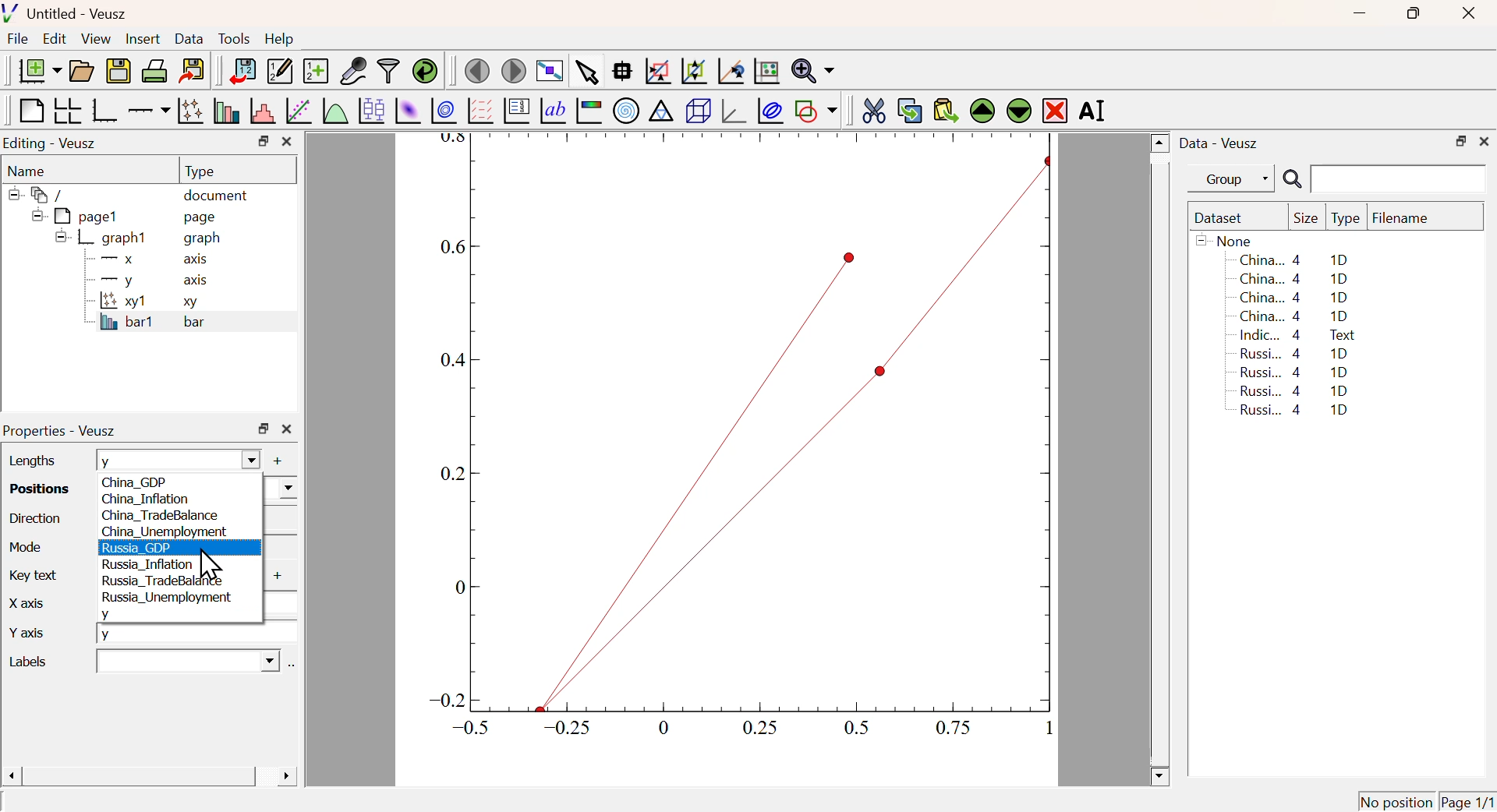  Describe the element at coordinates (280, 39) in the screenshot. I see `Help` at that location.